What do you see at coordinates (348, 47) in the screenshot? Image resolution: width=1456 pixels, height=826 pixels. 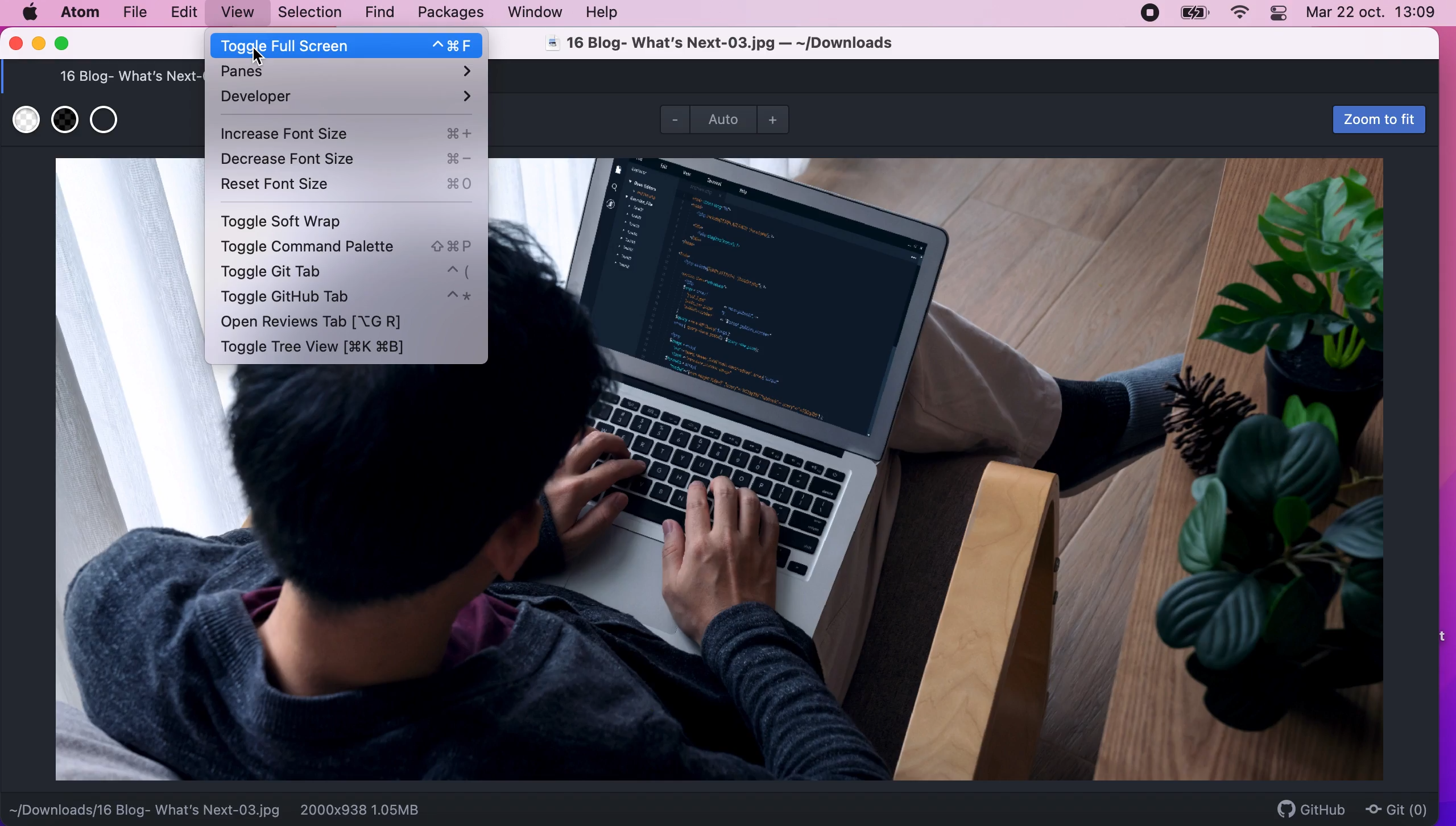 I see `toggle full screen` at bounding box center [348, 47].